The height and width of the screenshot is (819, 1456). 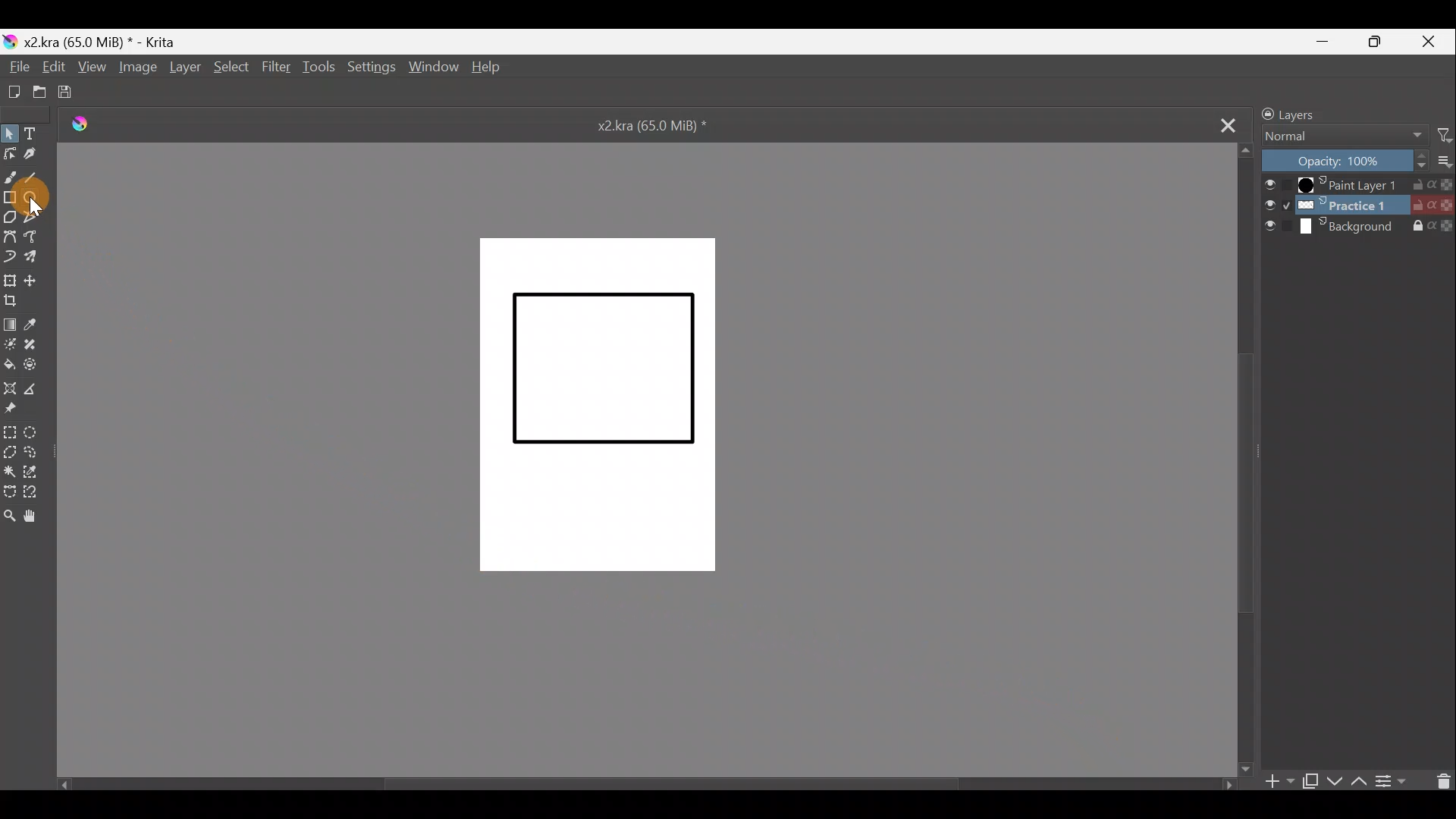 What do you see at coordinates (1396, 783) in the screenshot?
I see `View/change layer properties` at bounding box center [1396, 783].